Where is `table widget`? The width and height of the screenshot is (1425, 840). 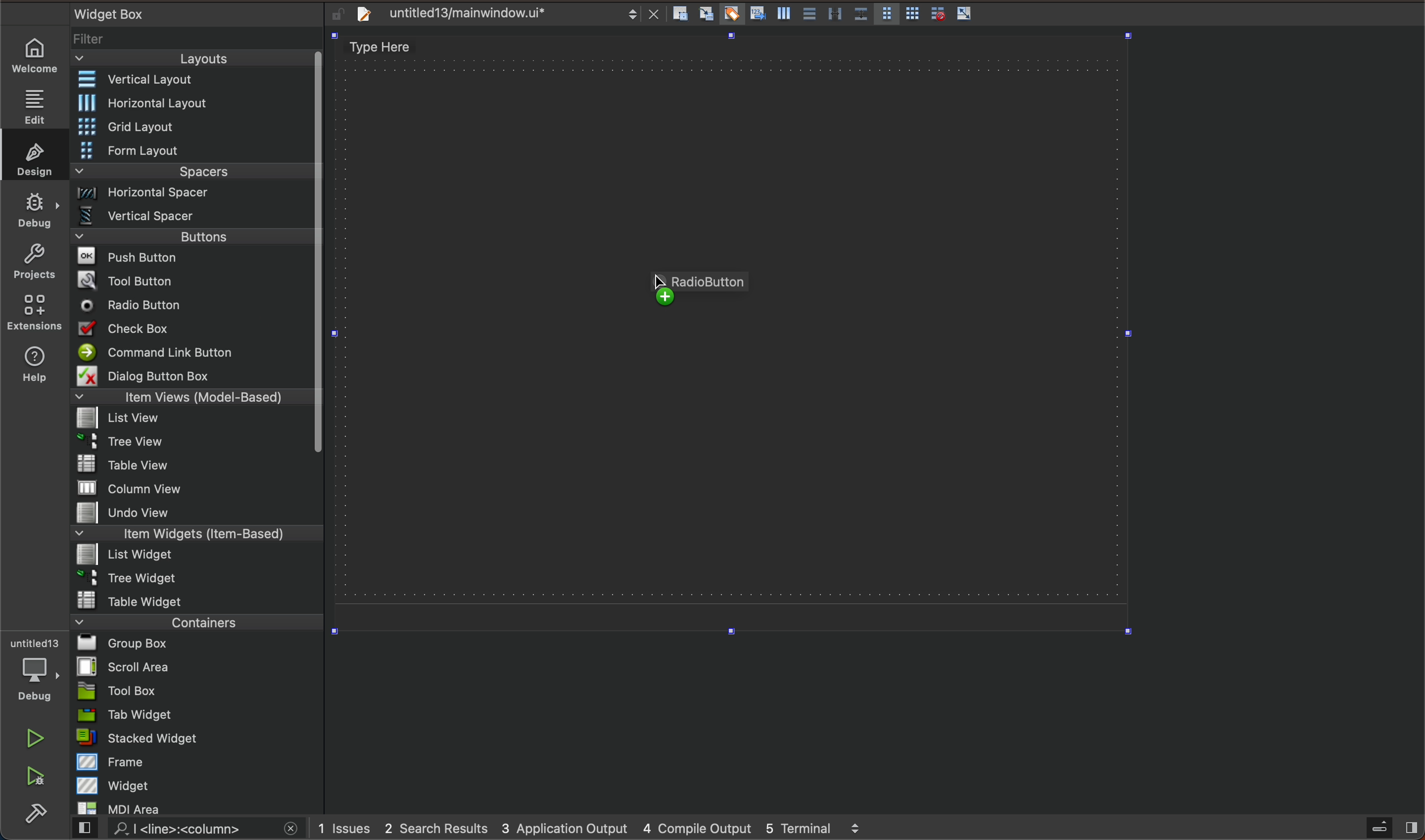 table widget is located at coordinates (198, 600).